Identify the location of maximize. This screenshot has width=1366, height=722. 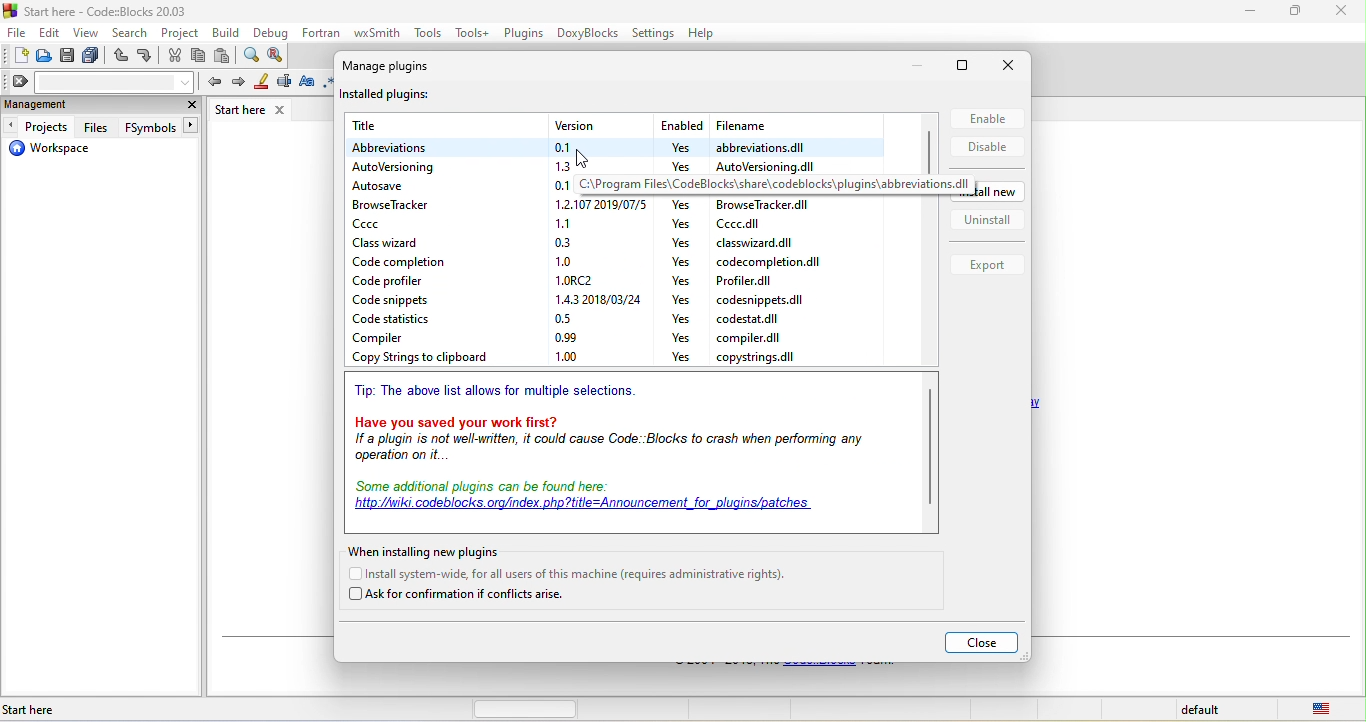
(964, 67).